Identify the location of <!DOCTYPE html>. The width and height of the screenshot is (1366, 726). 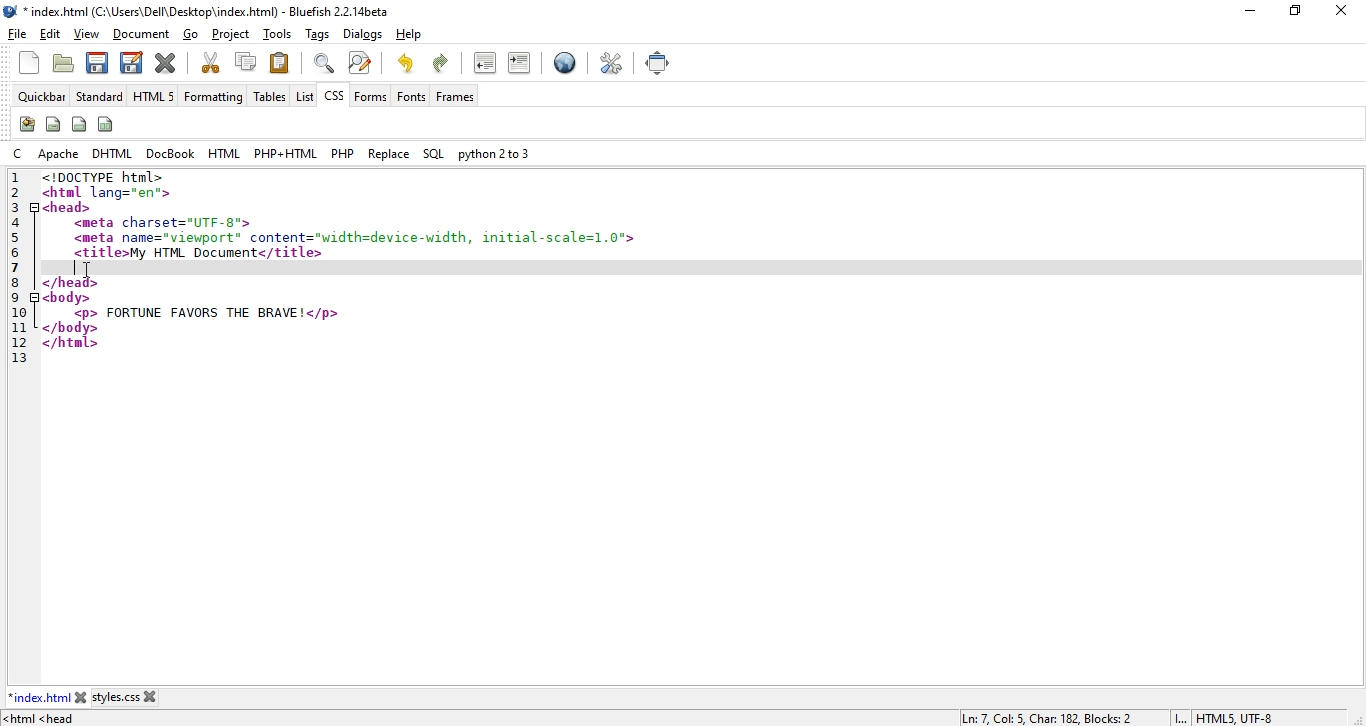
(102, 177).